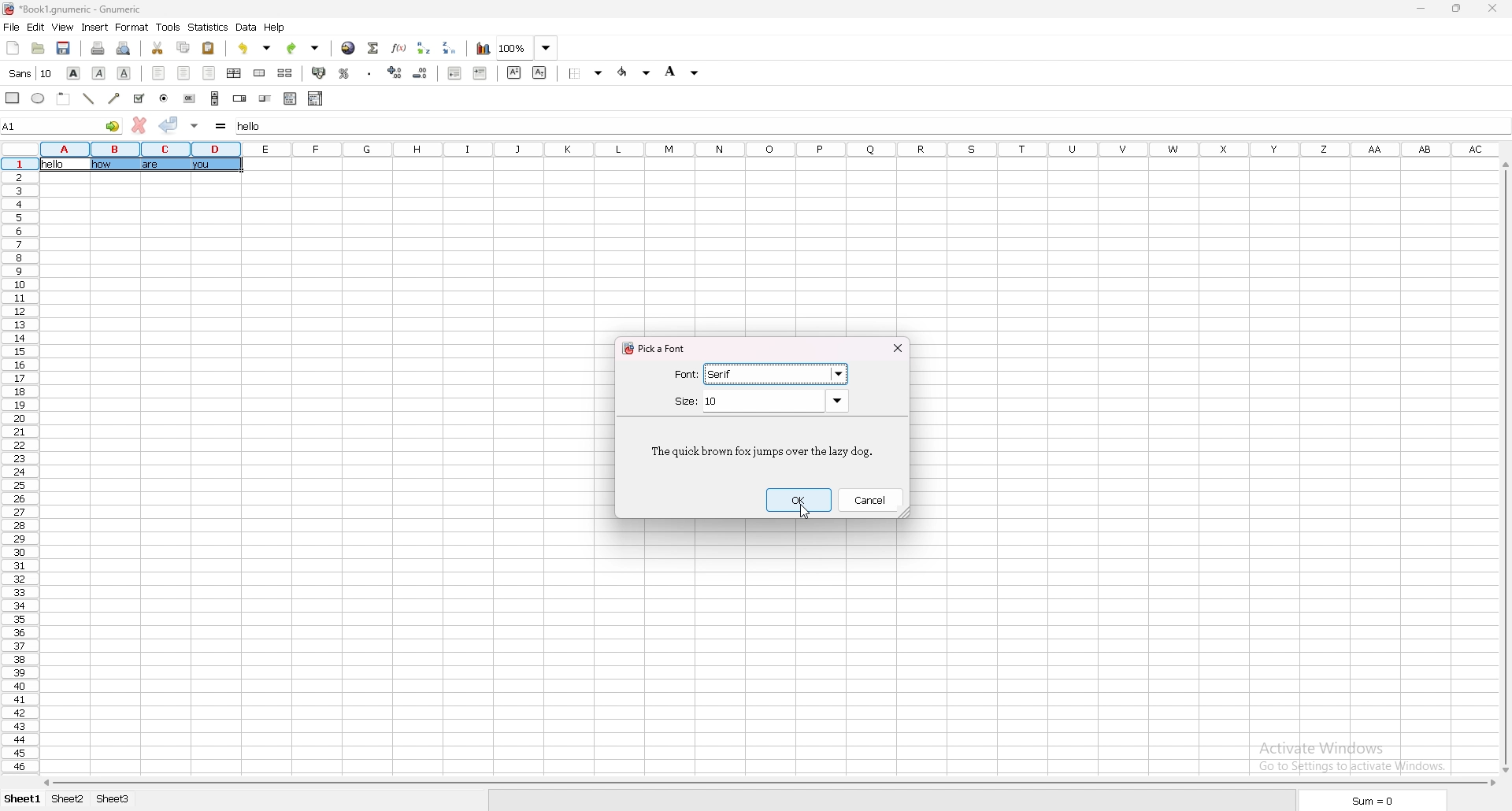 Image resolution: width=1512 pixels, height=811 pixels. I want to click on scroll bar, so click(767, 783).